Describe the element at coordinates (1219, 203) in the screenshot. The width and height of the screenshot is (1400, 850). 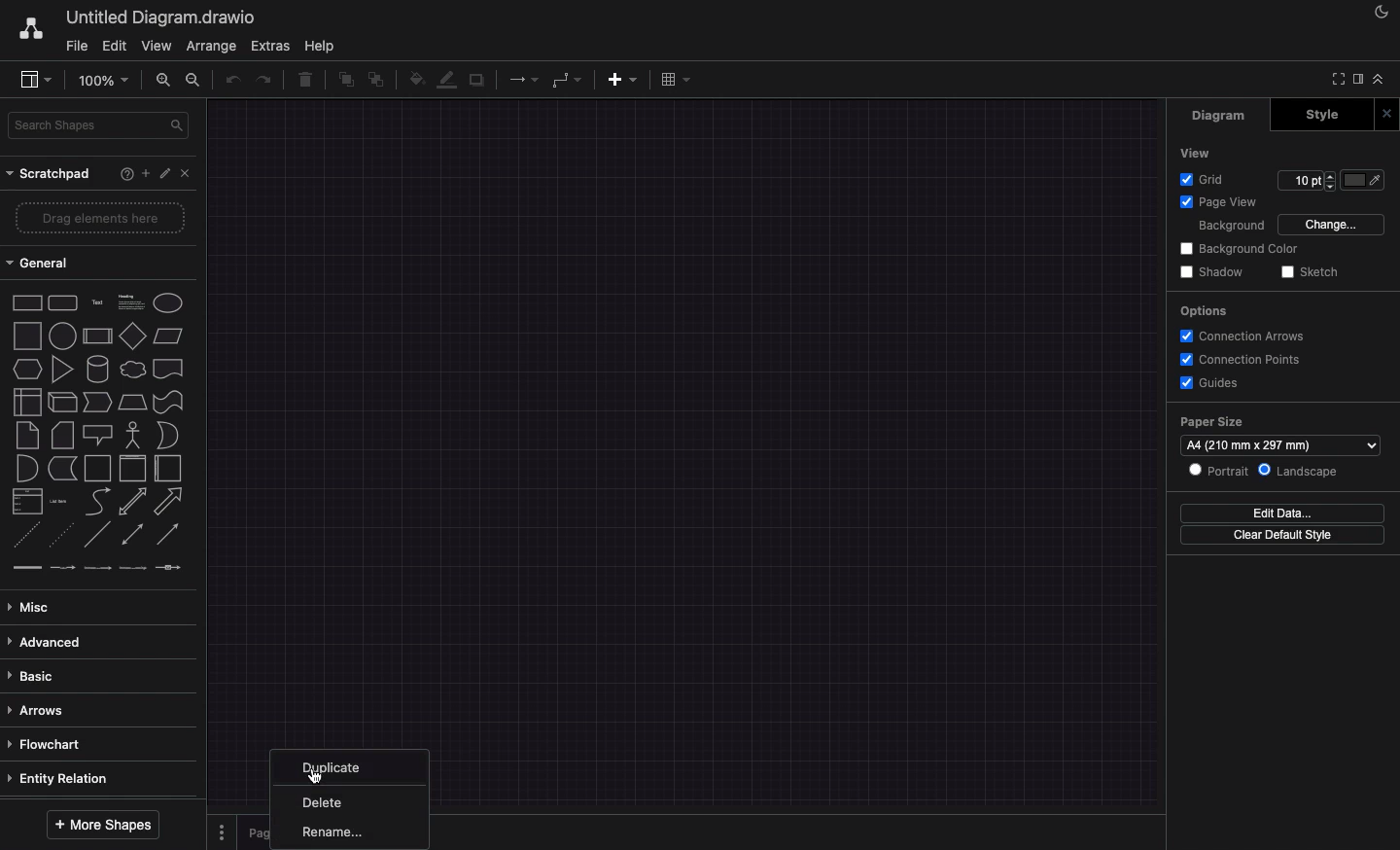
I see `page view` at that location.